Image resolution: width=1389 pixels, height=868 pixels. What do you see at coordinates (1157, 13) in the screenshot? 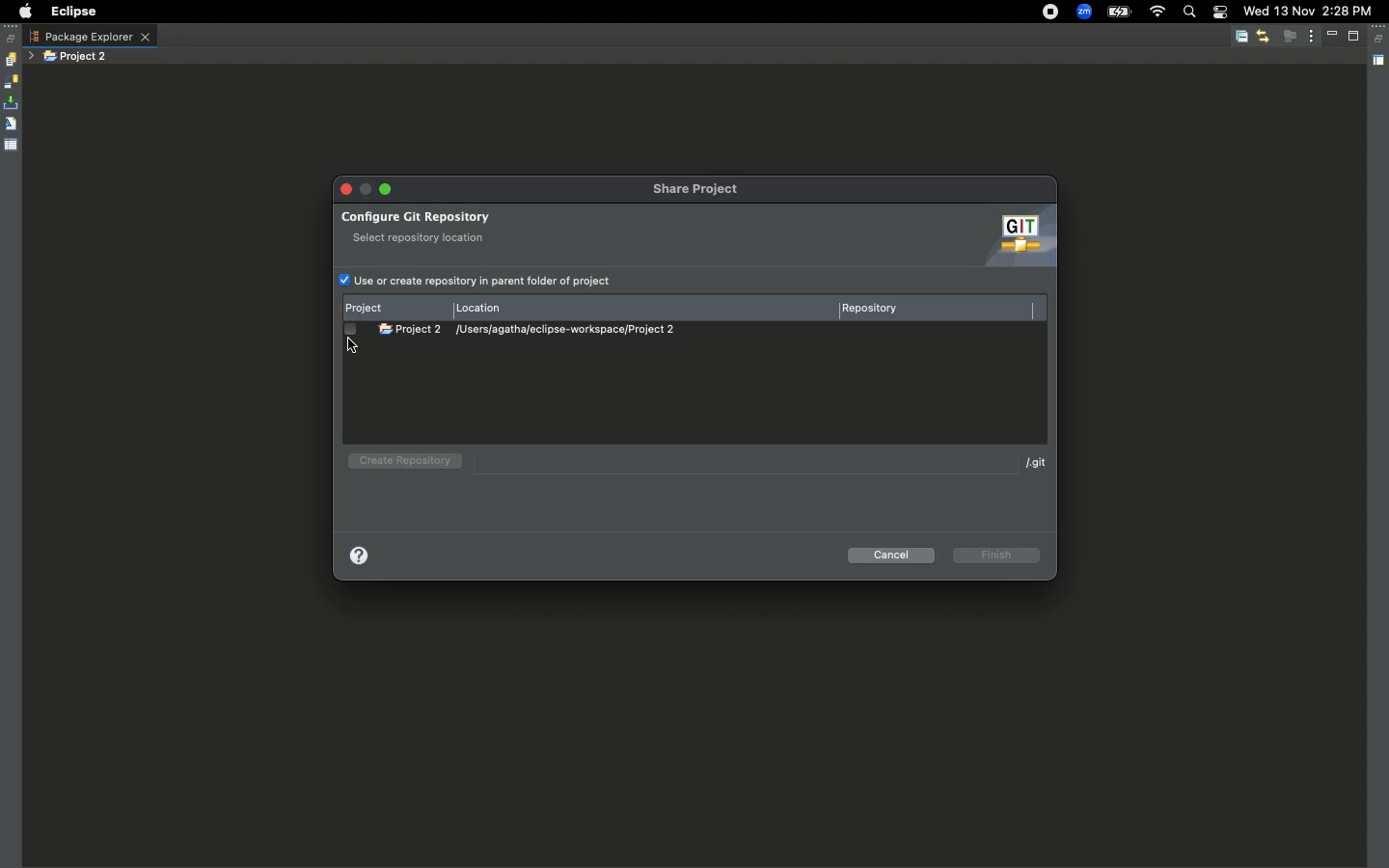
I see `Internet` at bounding box center [1157, 13].